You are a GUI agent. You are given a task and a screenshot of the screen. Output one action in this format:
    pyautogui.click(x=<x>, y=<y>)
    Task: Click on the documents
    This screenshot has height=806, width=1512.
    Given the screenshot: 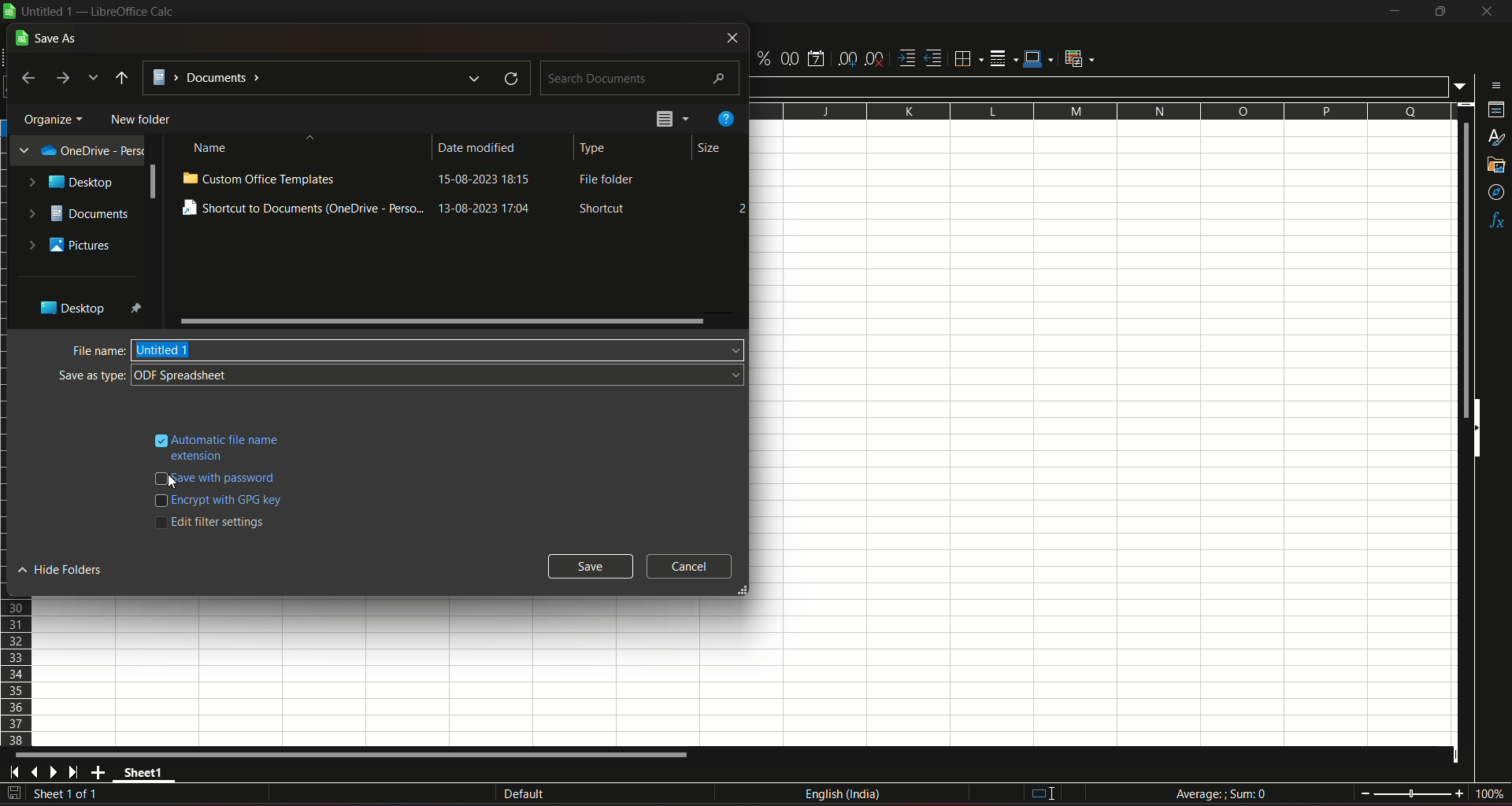 What is the action you would take?
    pyautogui.click(x=79, y=213)
    